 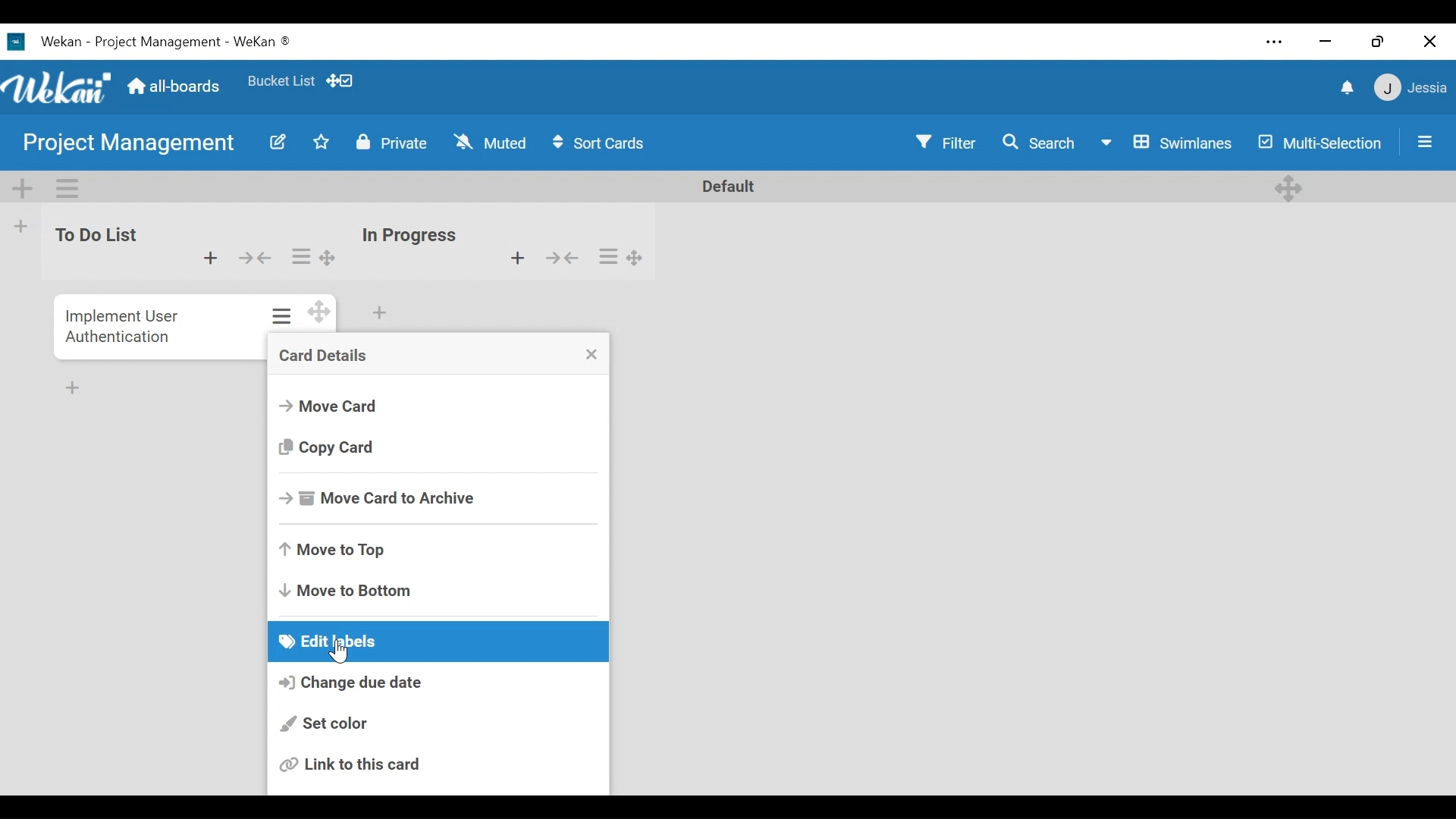 I want to click on add card to the top of the list, so click(x=516, y=259).